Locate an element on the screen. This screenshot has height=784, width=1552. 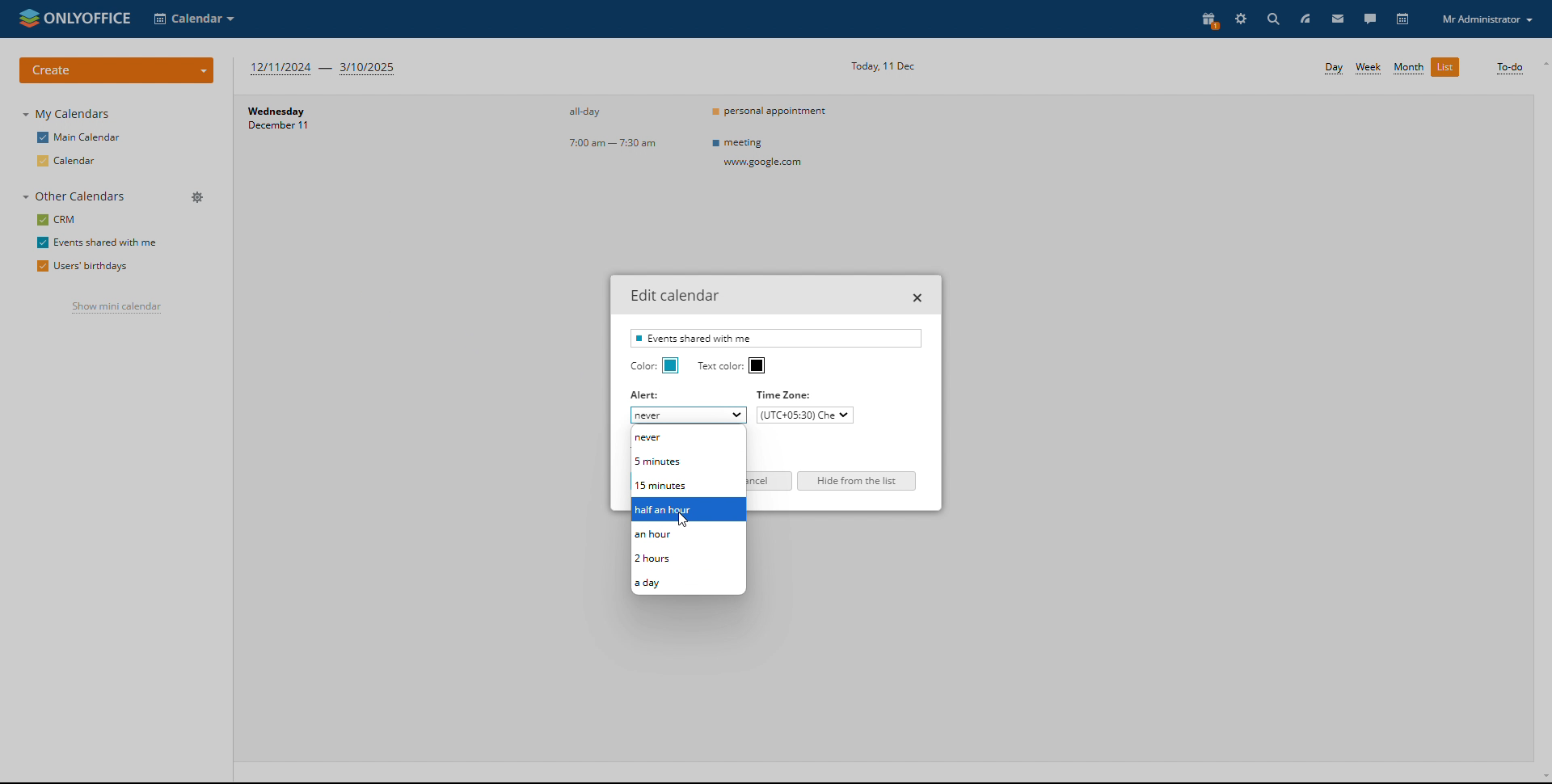
crm is located at coordinates (58, 220).